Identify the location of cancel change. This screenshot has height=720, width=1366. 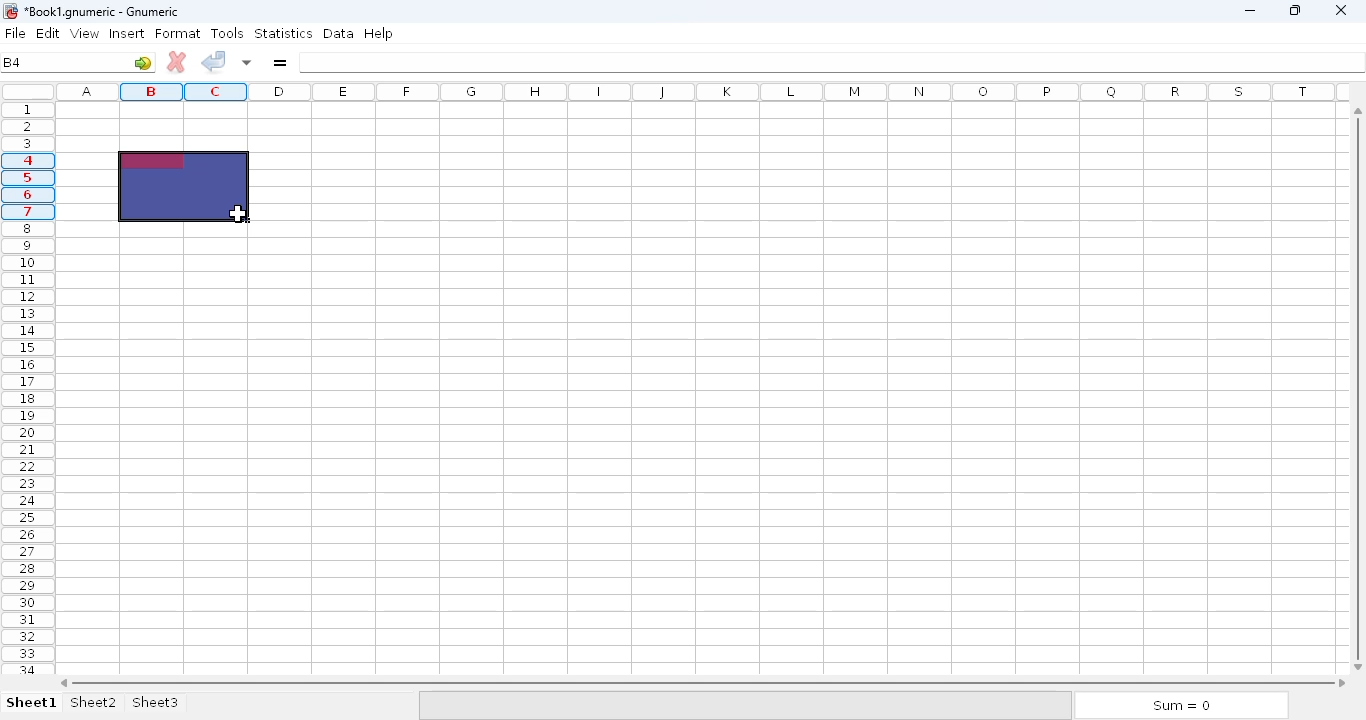
(176, 62).